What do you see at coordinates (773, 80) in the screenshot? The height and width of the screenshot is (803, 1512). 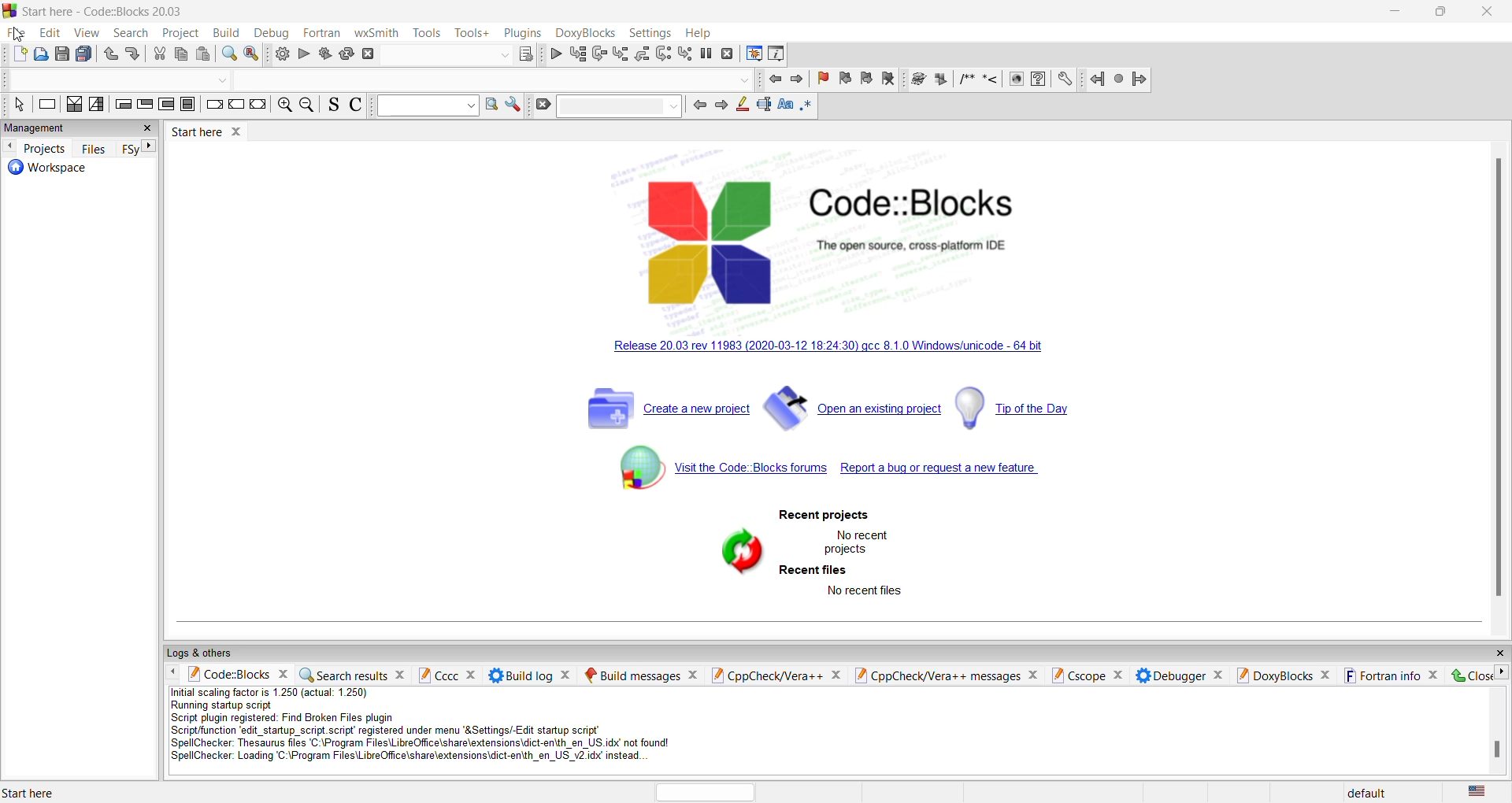 I see `jump back` at bounding box center [773, 80].